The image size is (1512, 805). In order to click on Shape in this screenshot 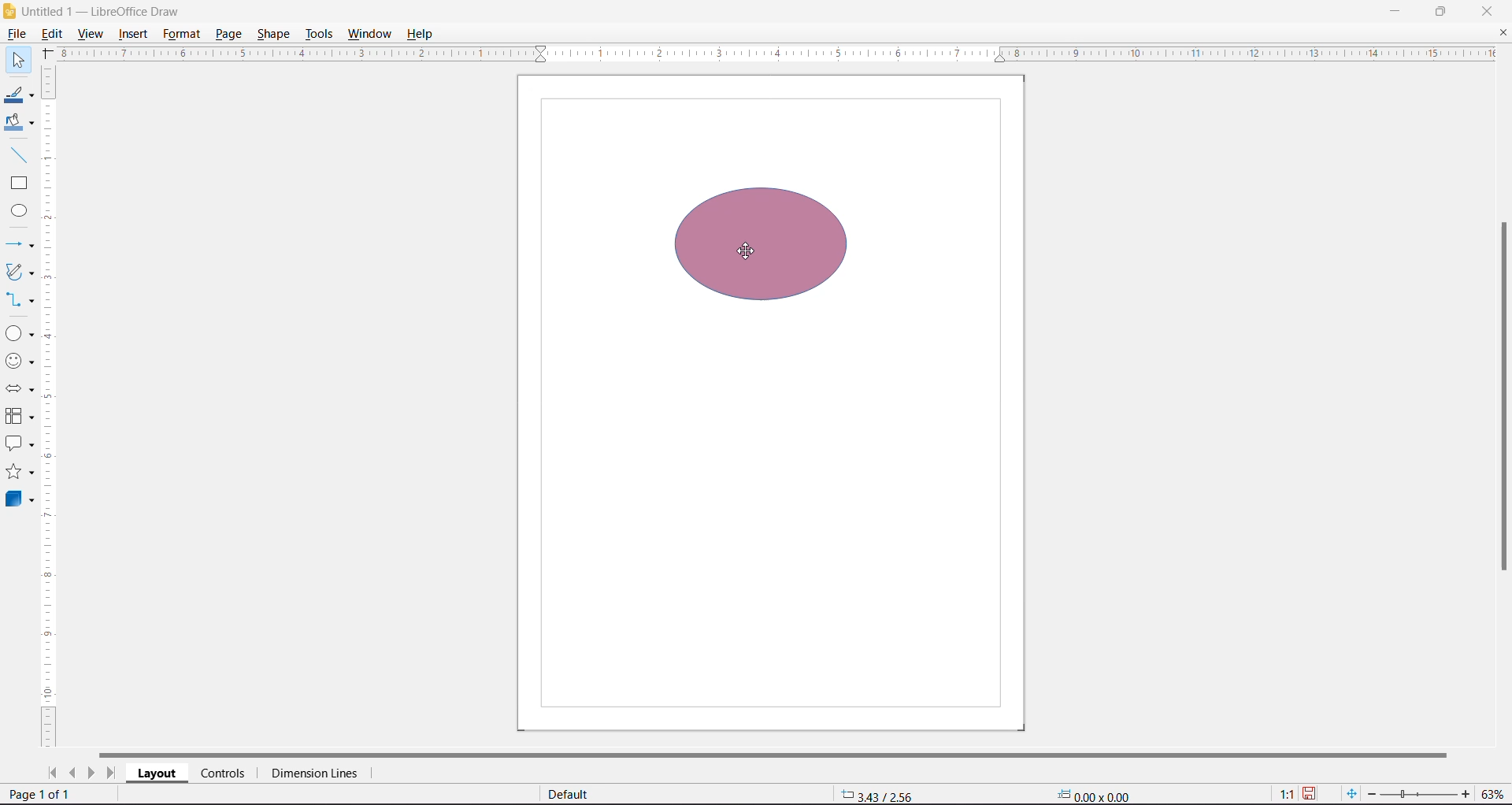, I will do `click(272, 35)`.